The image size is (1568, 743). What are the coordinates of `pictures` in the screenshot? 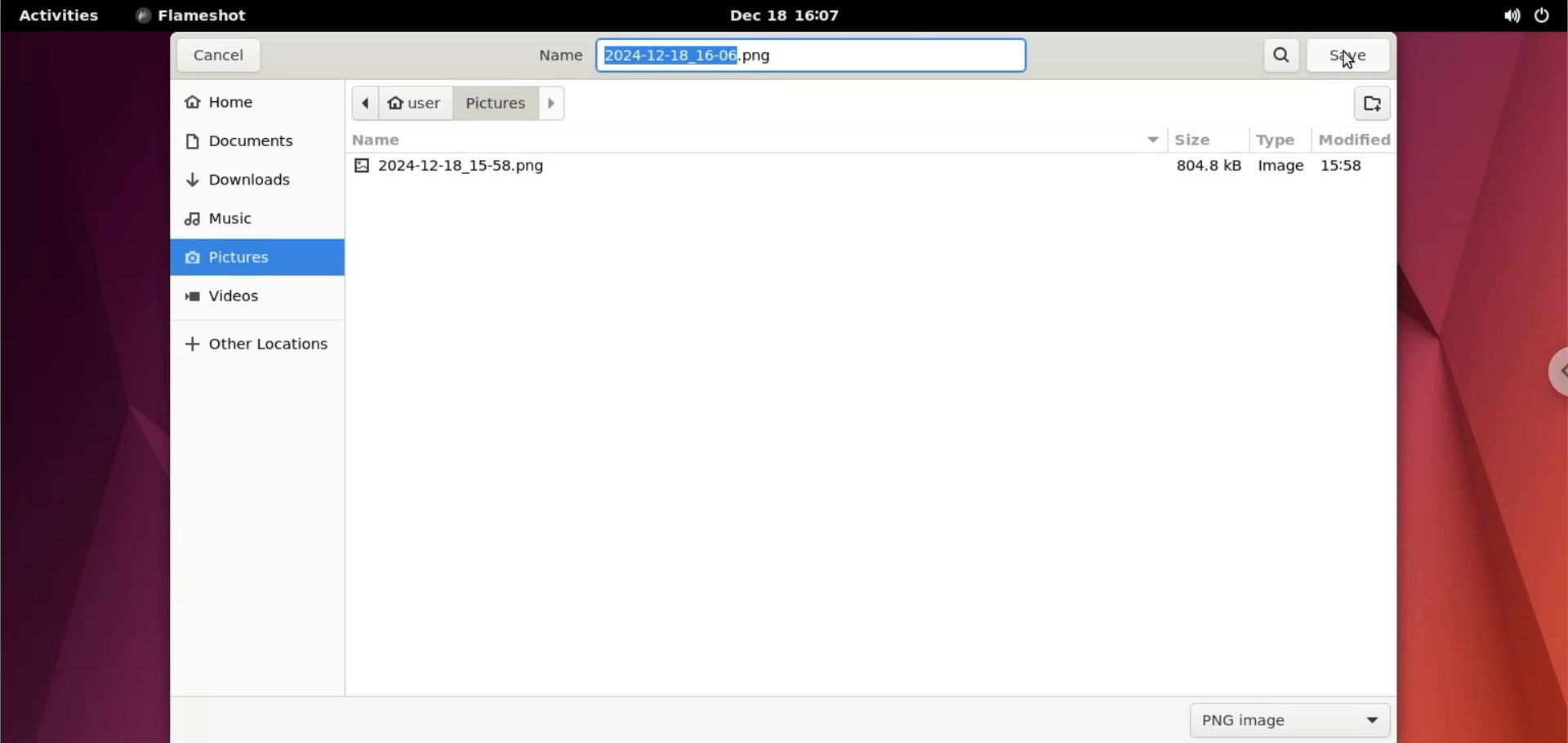 It's located at (256, 257).